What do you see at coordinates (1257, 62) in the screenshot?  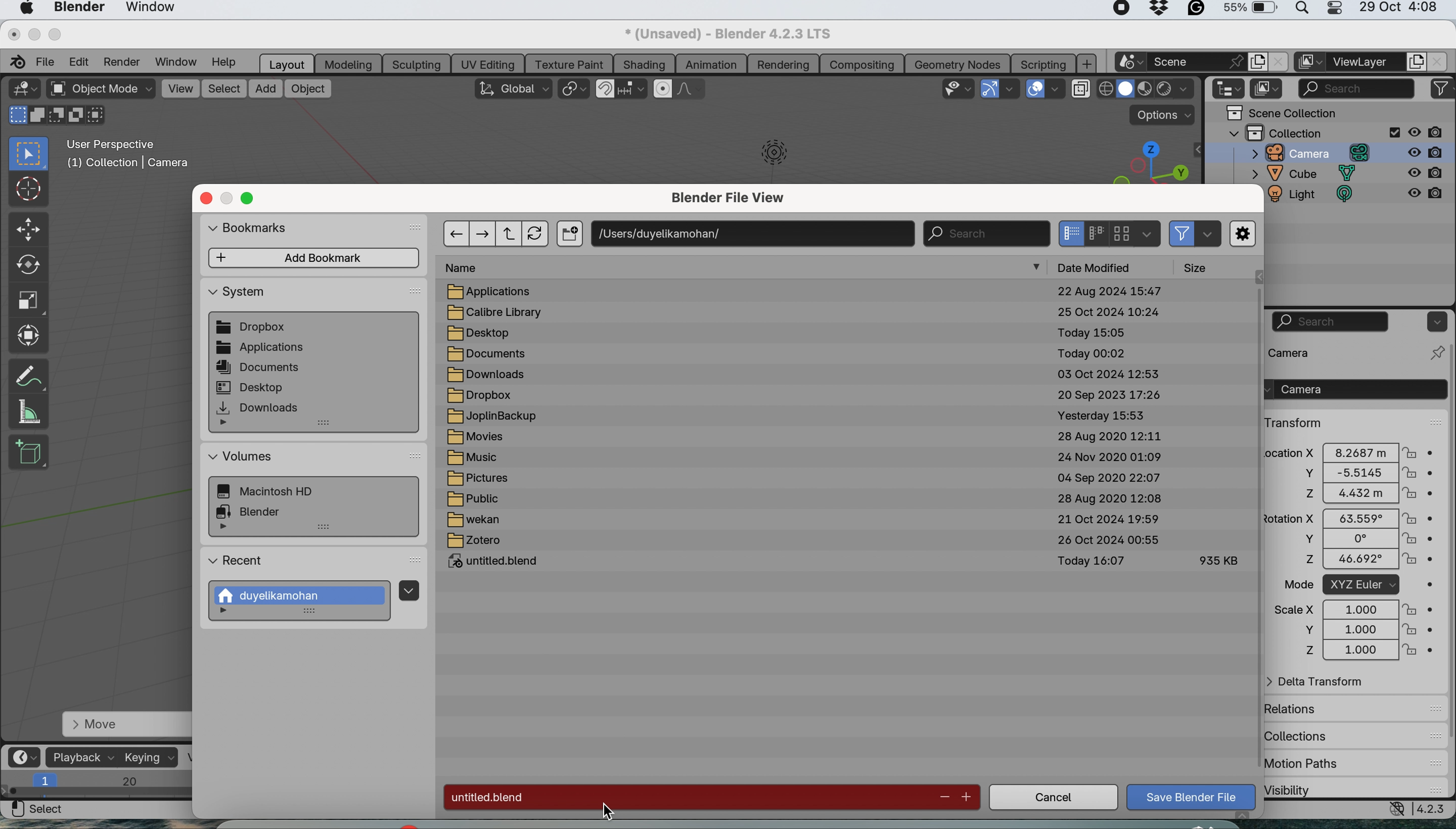 I see `add new scene` at bounding box center [1257, 62].